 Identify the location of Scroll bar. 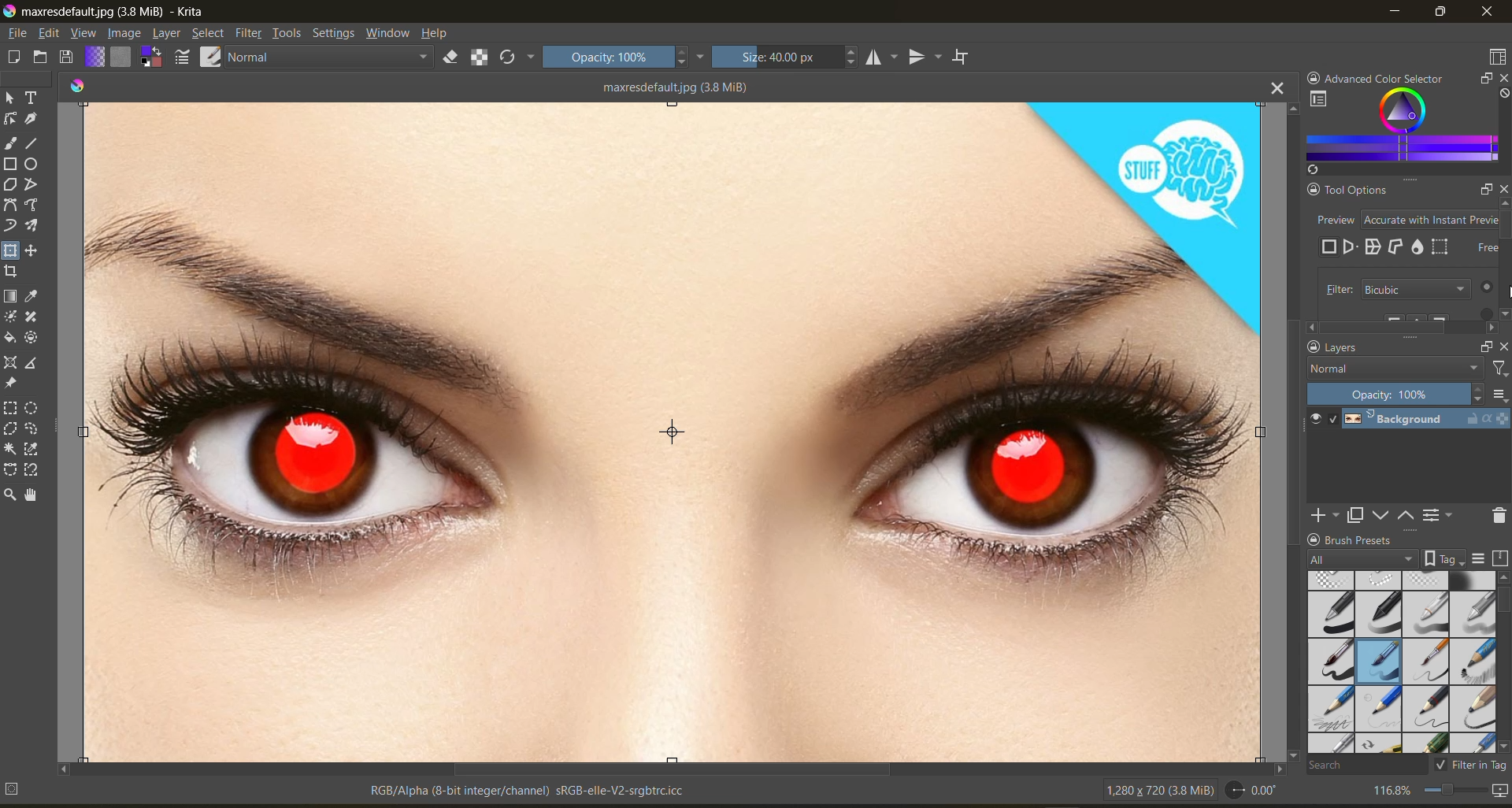
(1401, 325).